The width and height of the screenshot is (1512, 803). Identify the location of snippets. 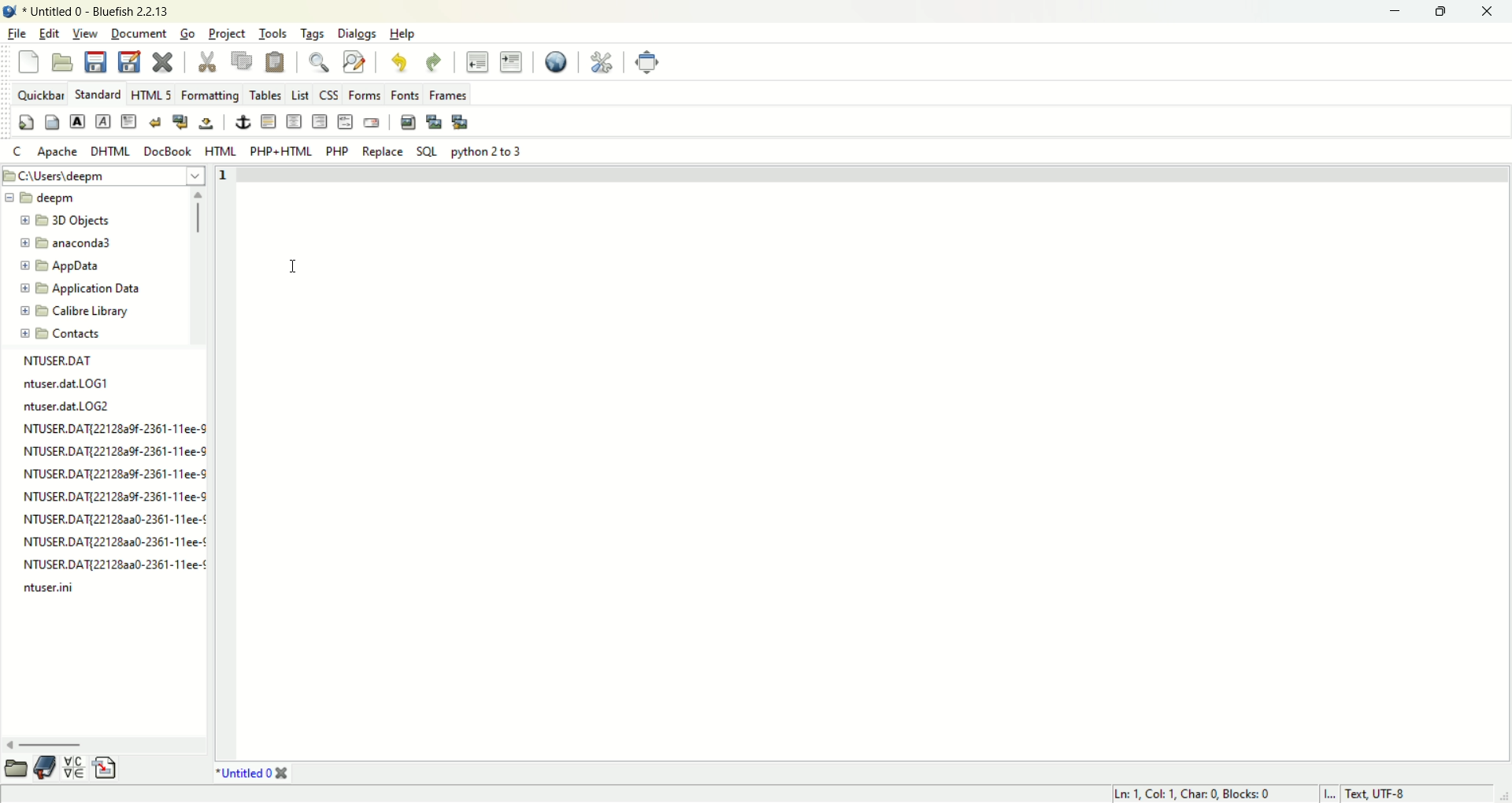
(107, 768).